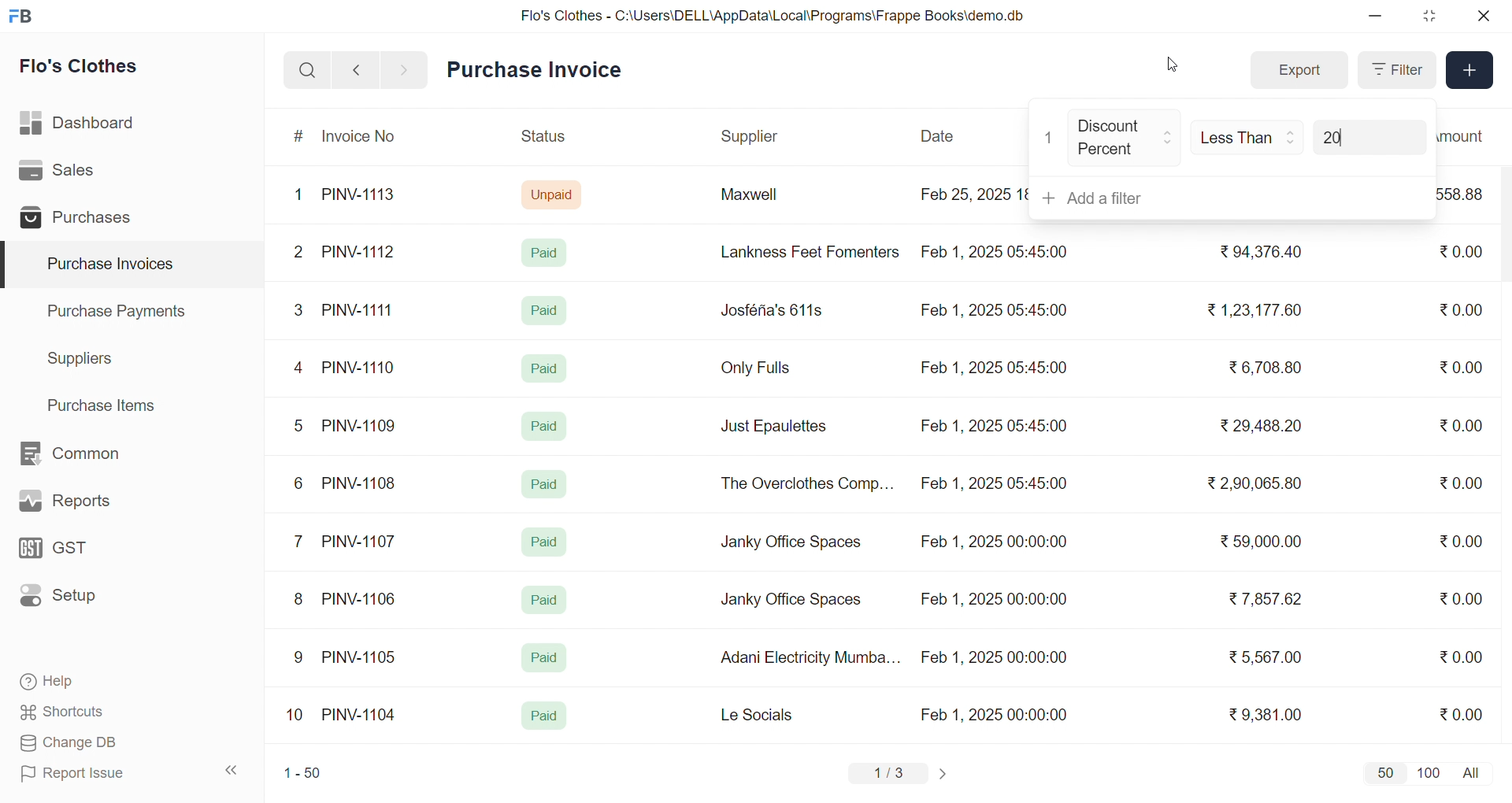 The image size is (1512, 803). I want to click on 3, so click(298, 309).